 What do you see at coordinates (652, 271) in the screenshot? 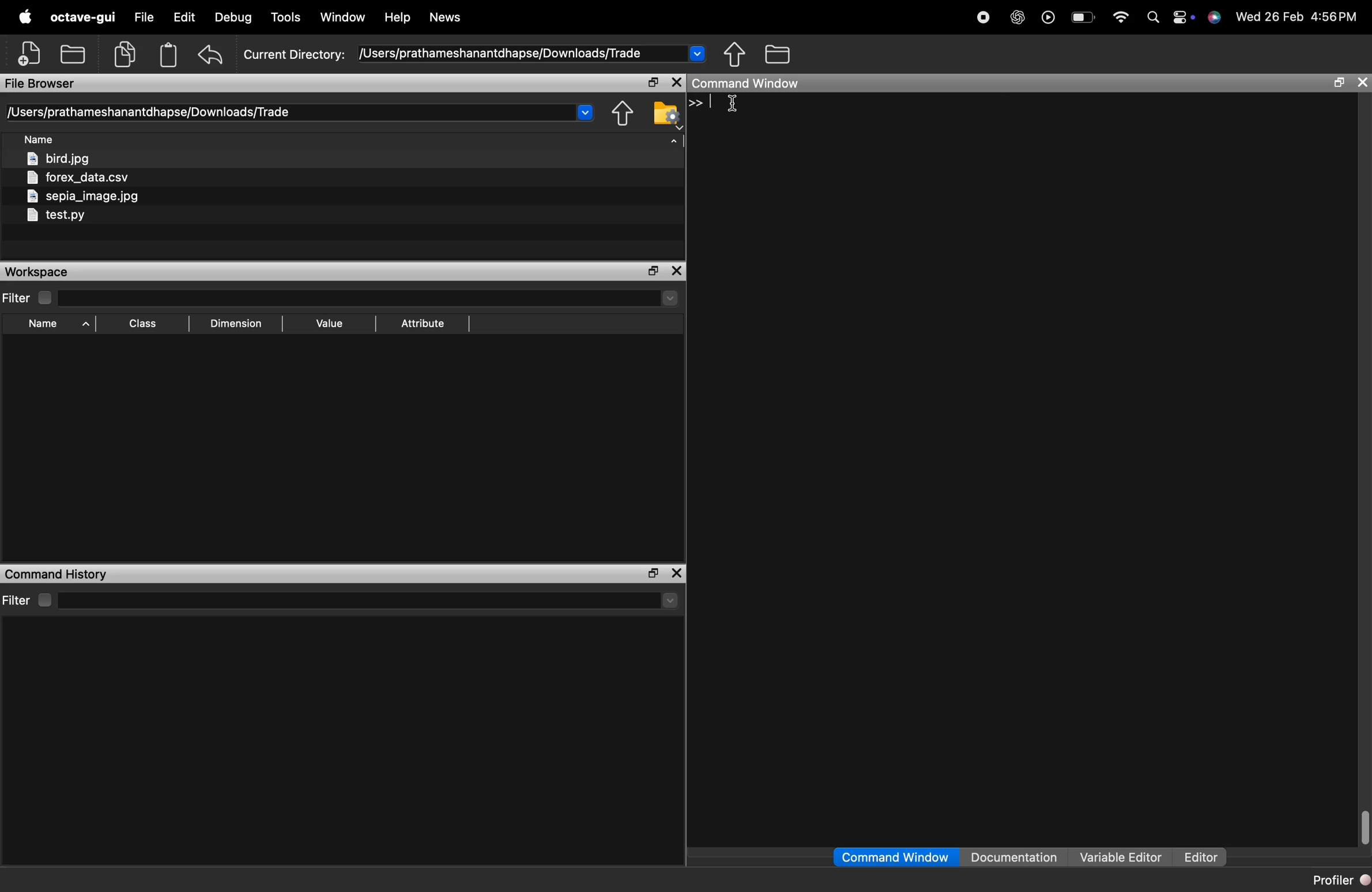
I see `separate the window` at bounding box center [652, 271].